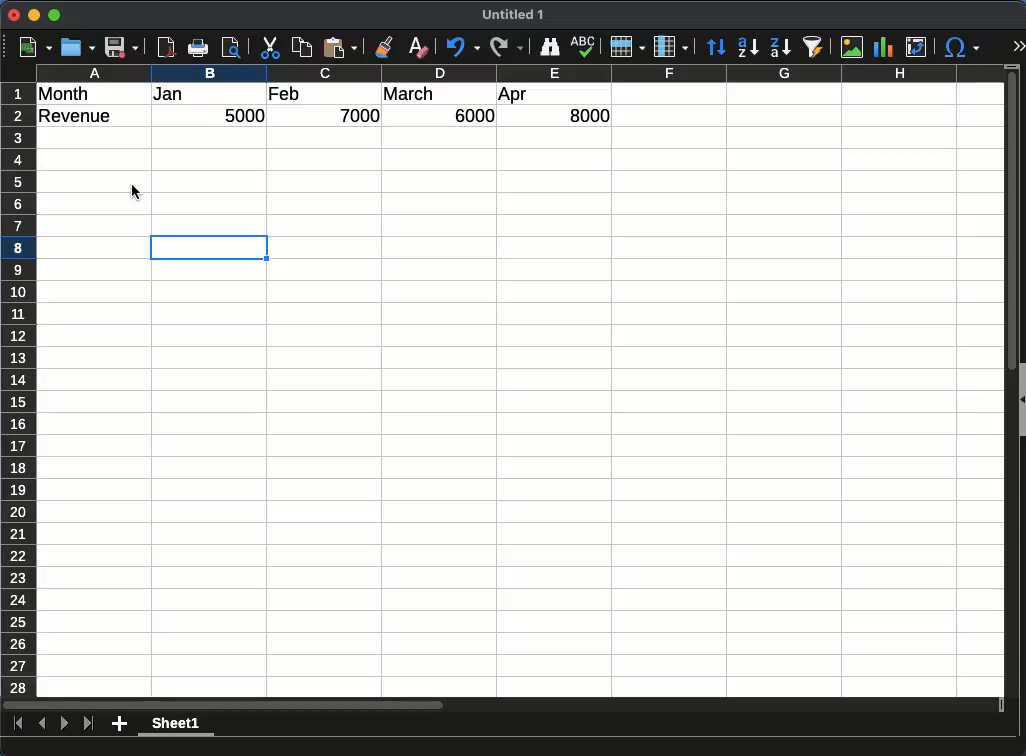 Image resolution: width=1026 pixels, height=756 pixels. I want to click on pdf preview, so click(165, 47).